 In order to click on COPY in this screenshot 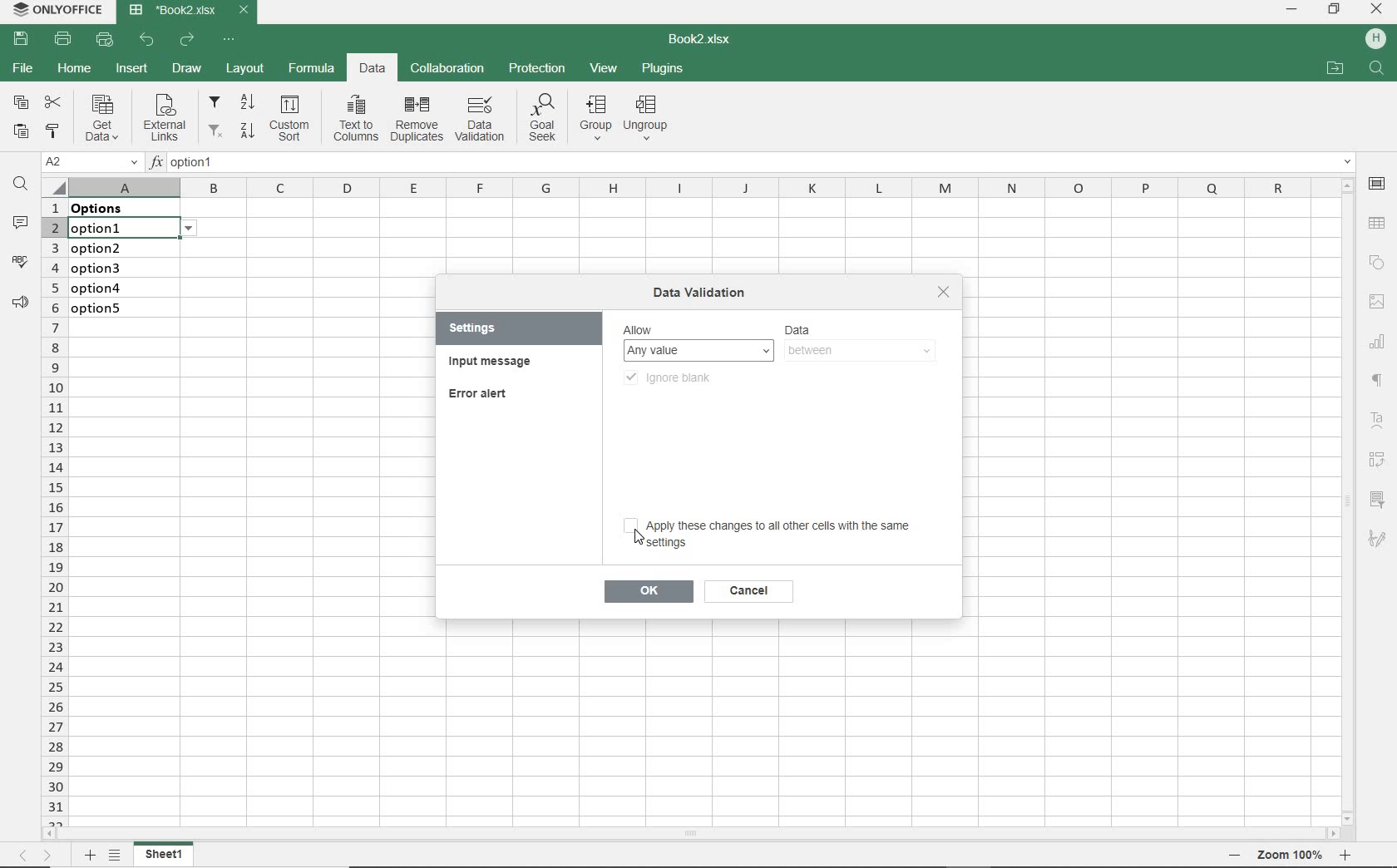, I will do `click(19, 101)`.